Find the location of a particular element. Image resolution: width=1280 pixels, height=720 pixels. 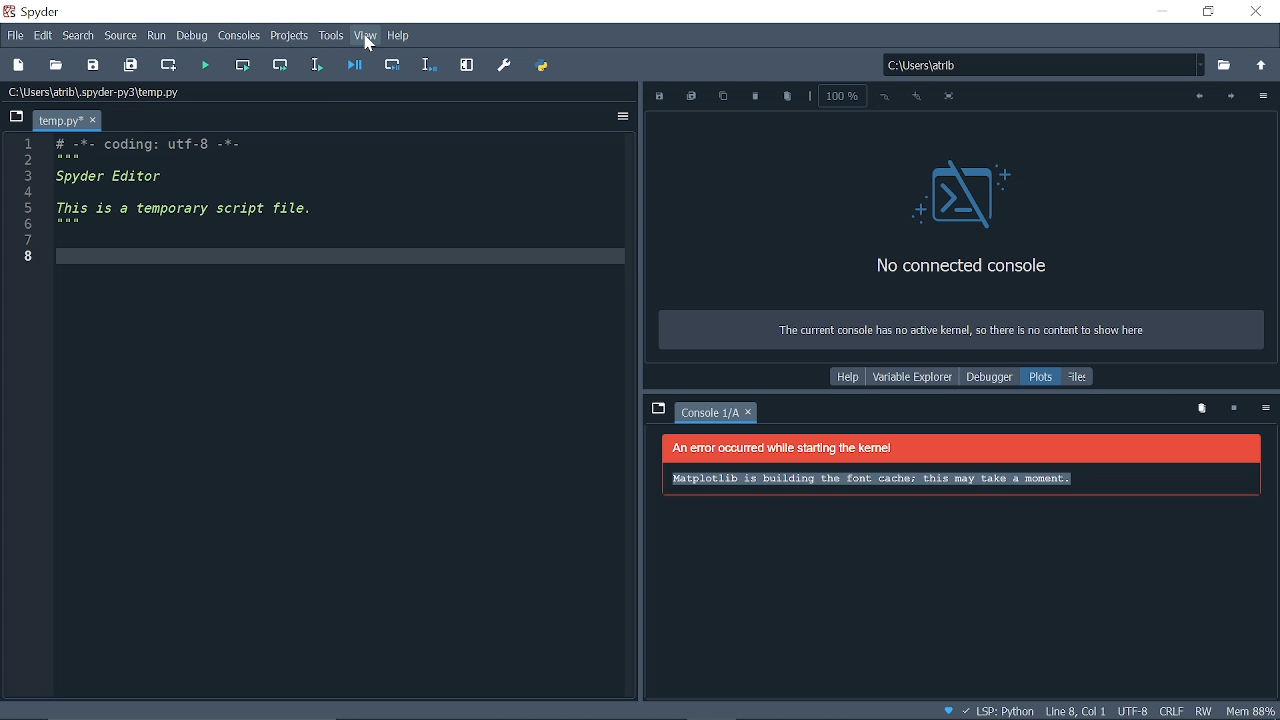

Files is located at coordinates (1079, 376).